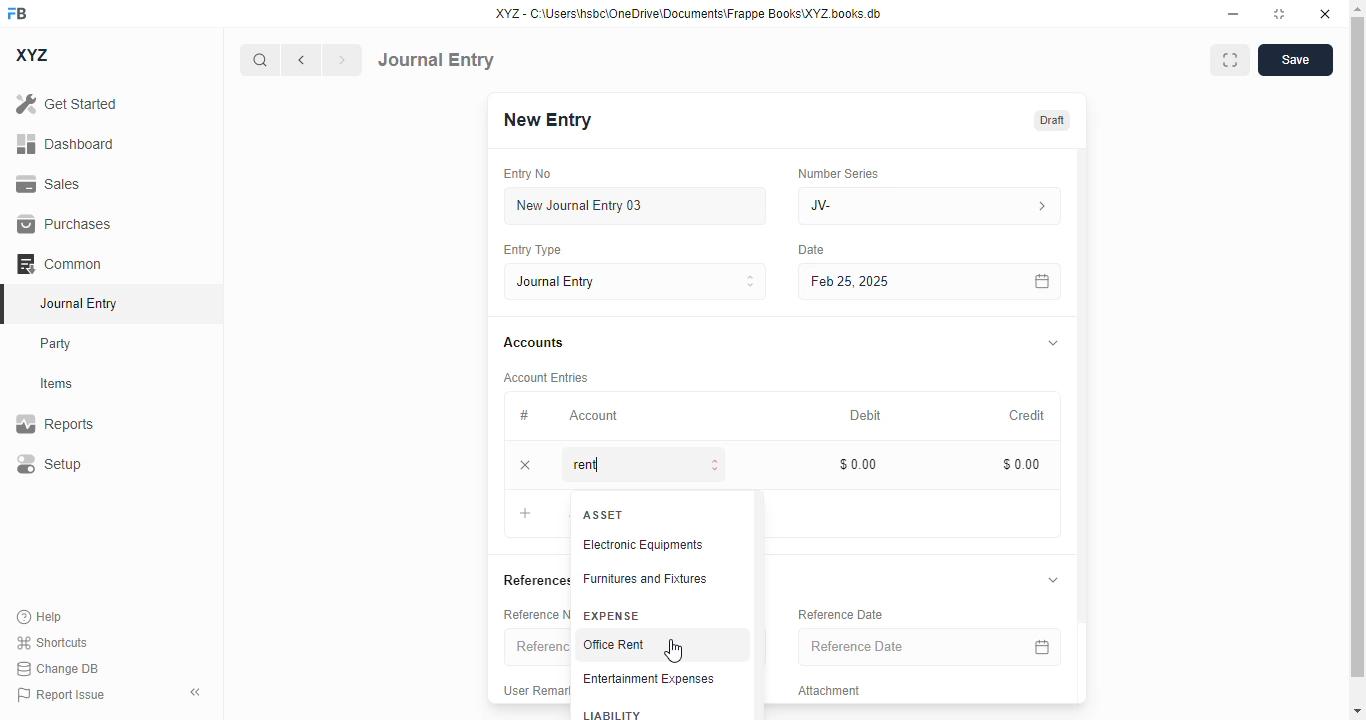 This screenshot has width=1366, height=720. Describe the element at coordinates (524, 416) in the screenshot. I see `#` at that location.